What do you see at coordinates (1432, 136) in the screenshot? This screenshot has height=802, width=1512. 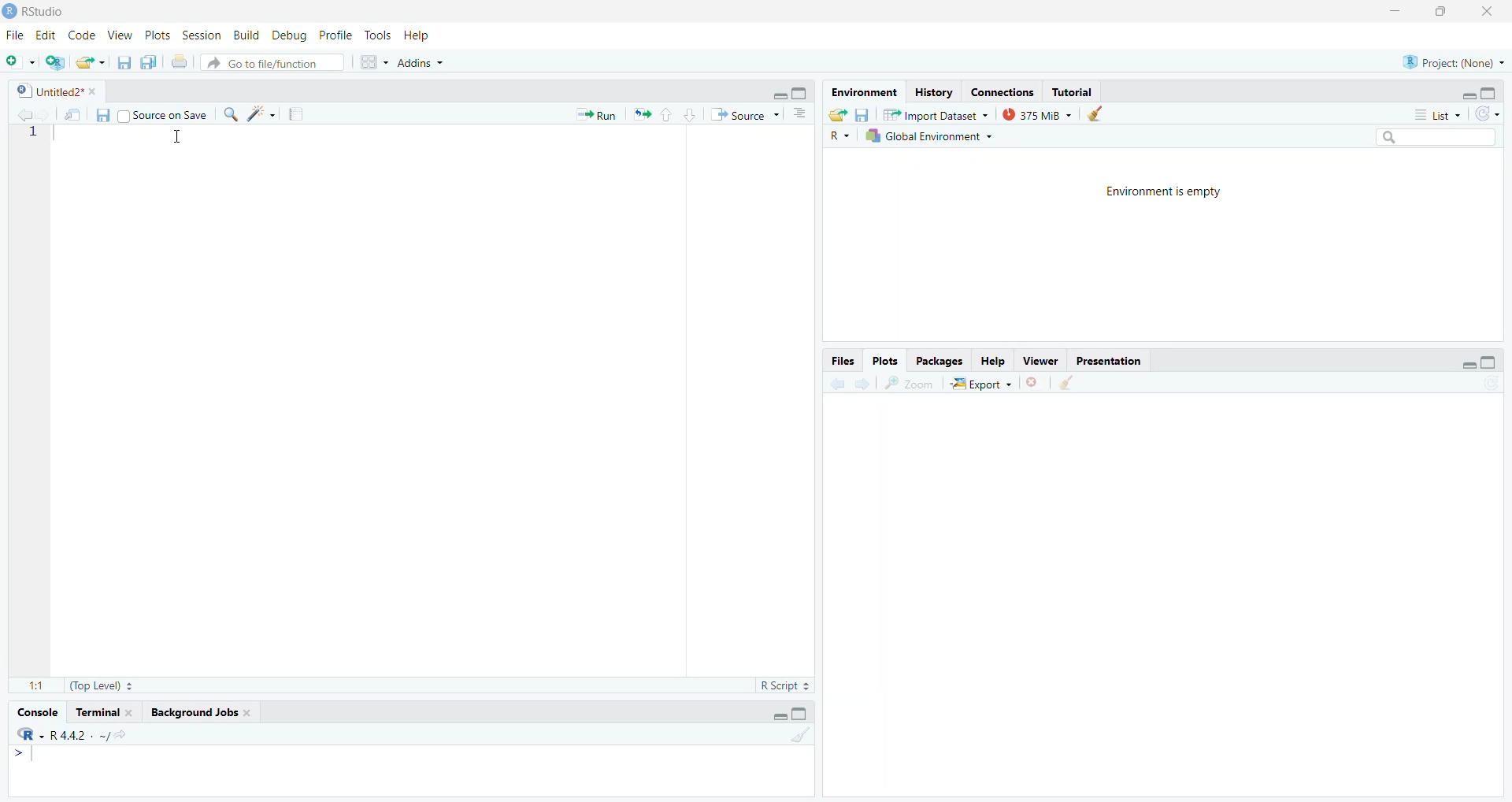 I see `search bar` at bounding box center [1432, 136].